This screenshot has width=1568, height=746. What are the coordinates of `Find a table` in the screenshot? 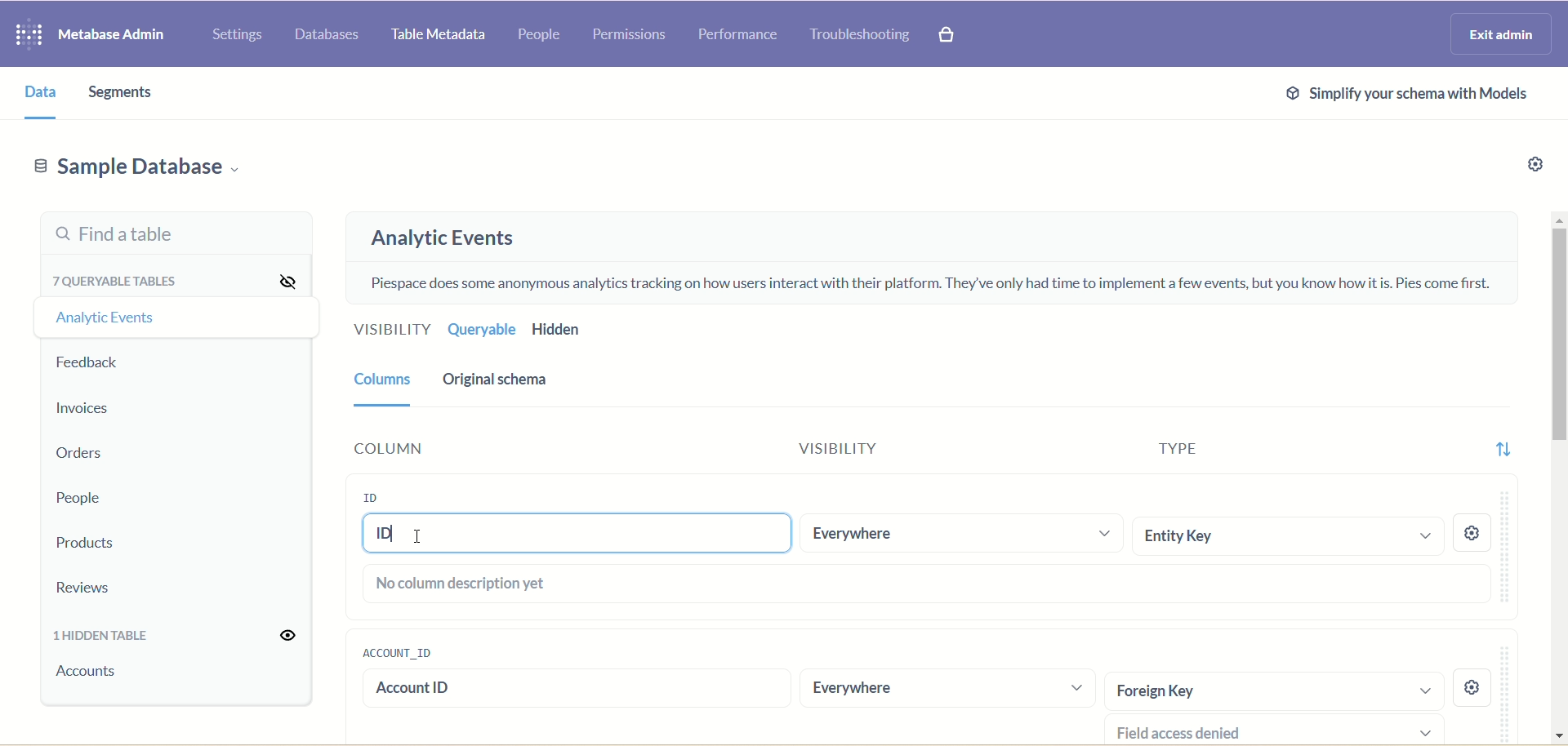 It's located at (171, 233).